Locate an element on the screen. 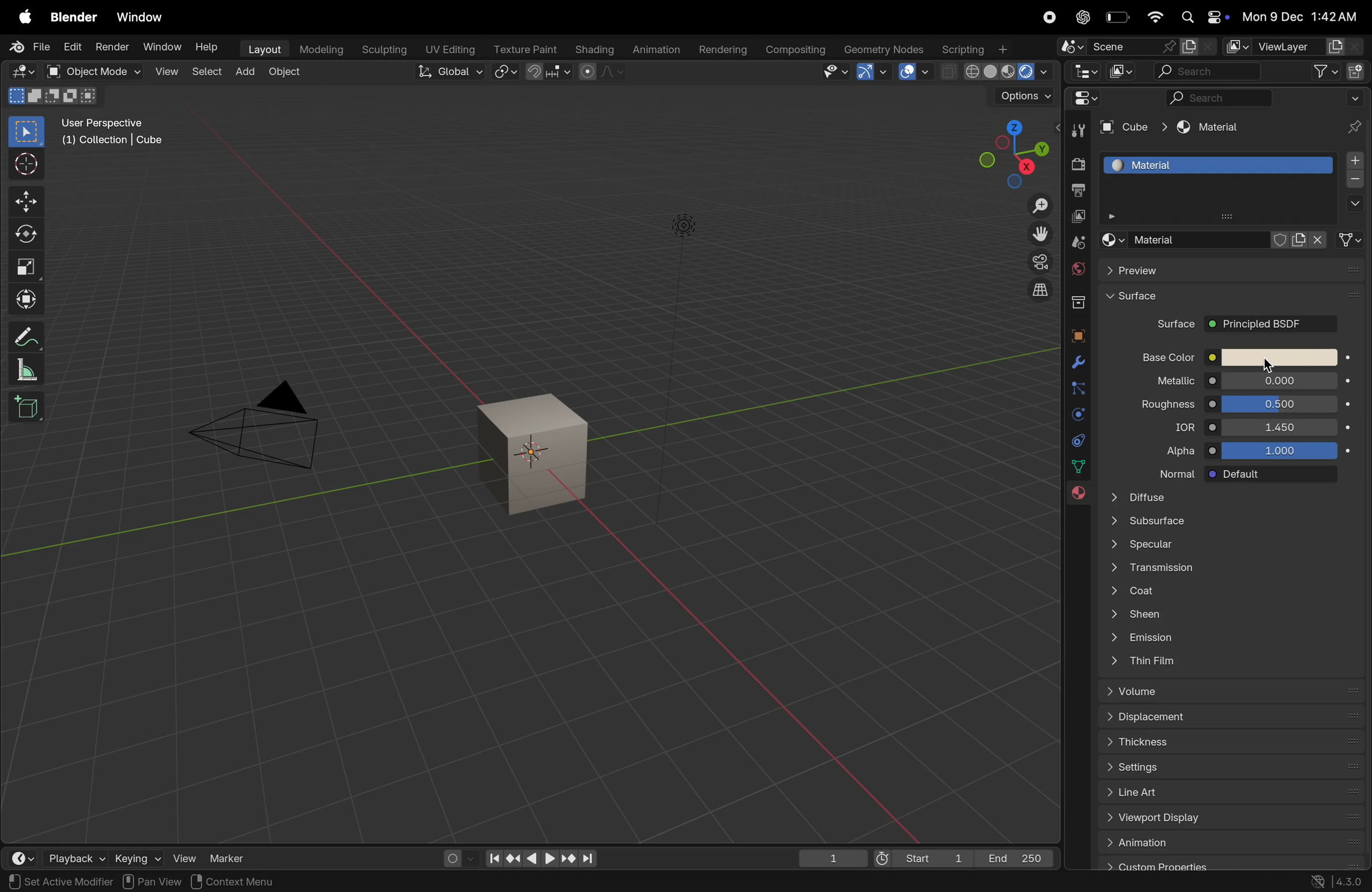 This screenshot has height=892, width=1372. visibility is located at coordinates (835, 71).